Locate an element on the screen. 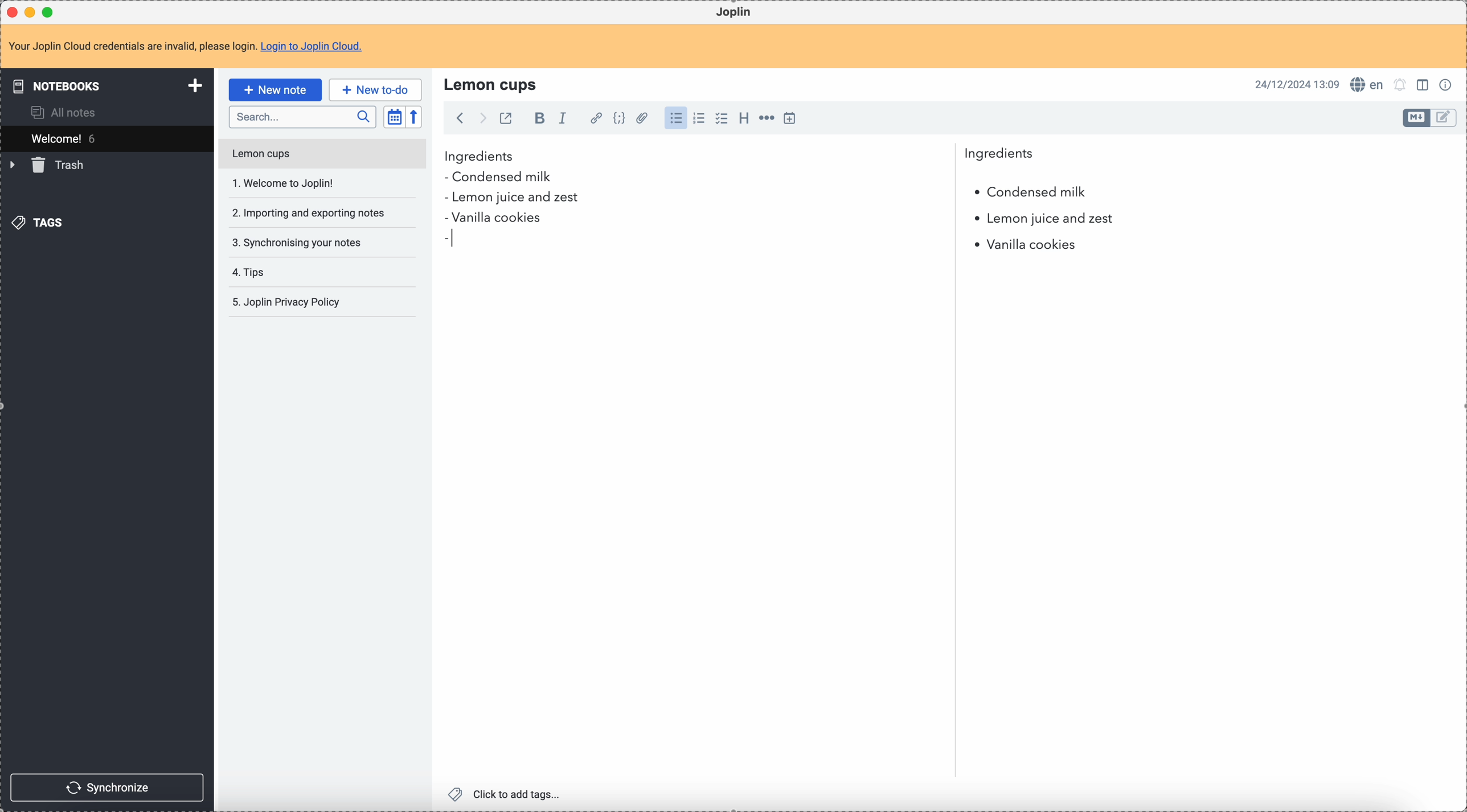 This screenshot has height=812, width=1467. spell checker is located at coordinates (1370, 84).